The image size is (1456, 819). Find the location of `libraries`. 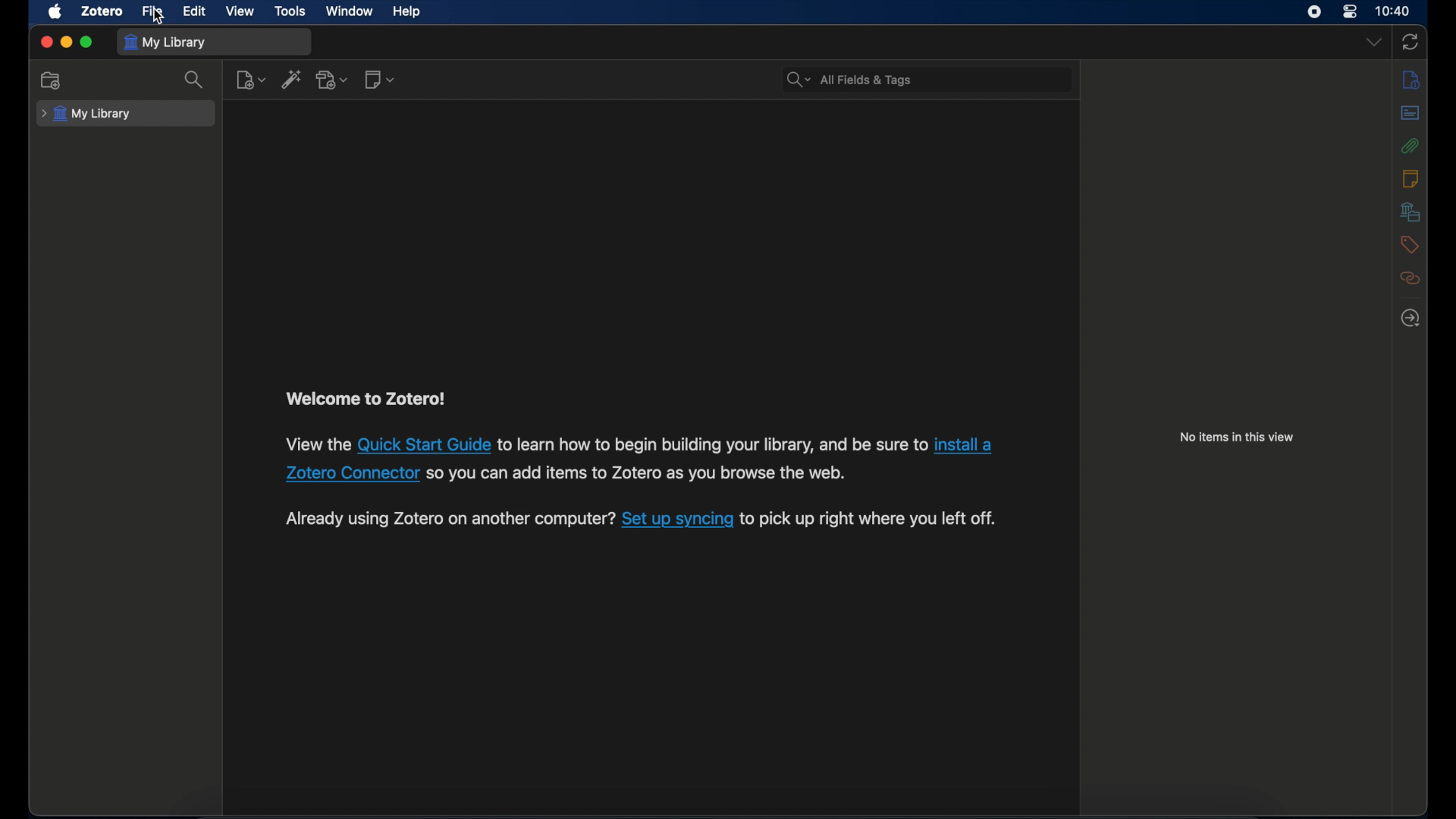

libraries is located at coordinates (1407, 212).